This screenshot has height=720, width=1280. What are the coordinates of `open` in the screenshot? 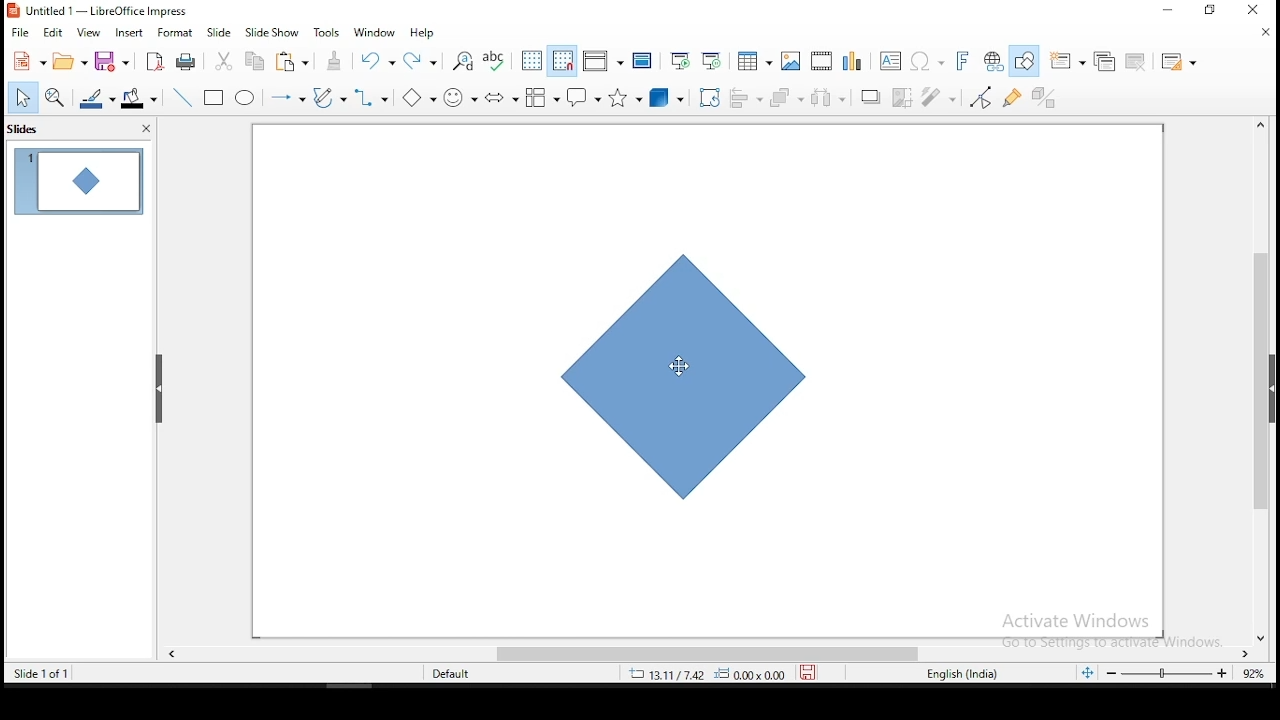 It's located at (68, 61).